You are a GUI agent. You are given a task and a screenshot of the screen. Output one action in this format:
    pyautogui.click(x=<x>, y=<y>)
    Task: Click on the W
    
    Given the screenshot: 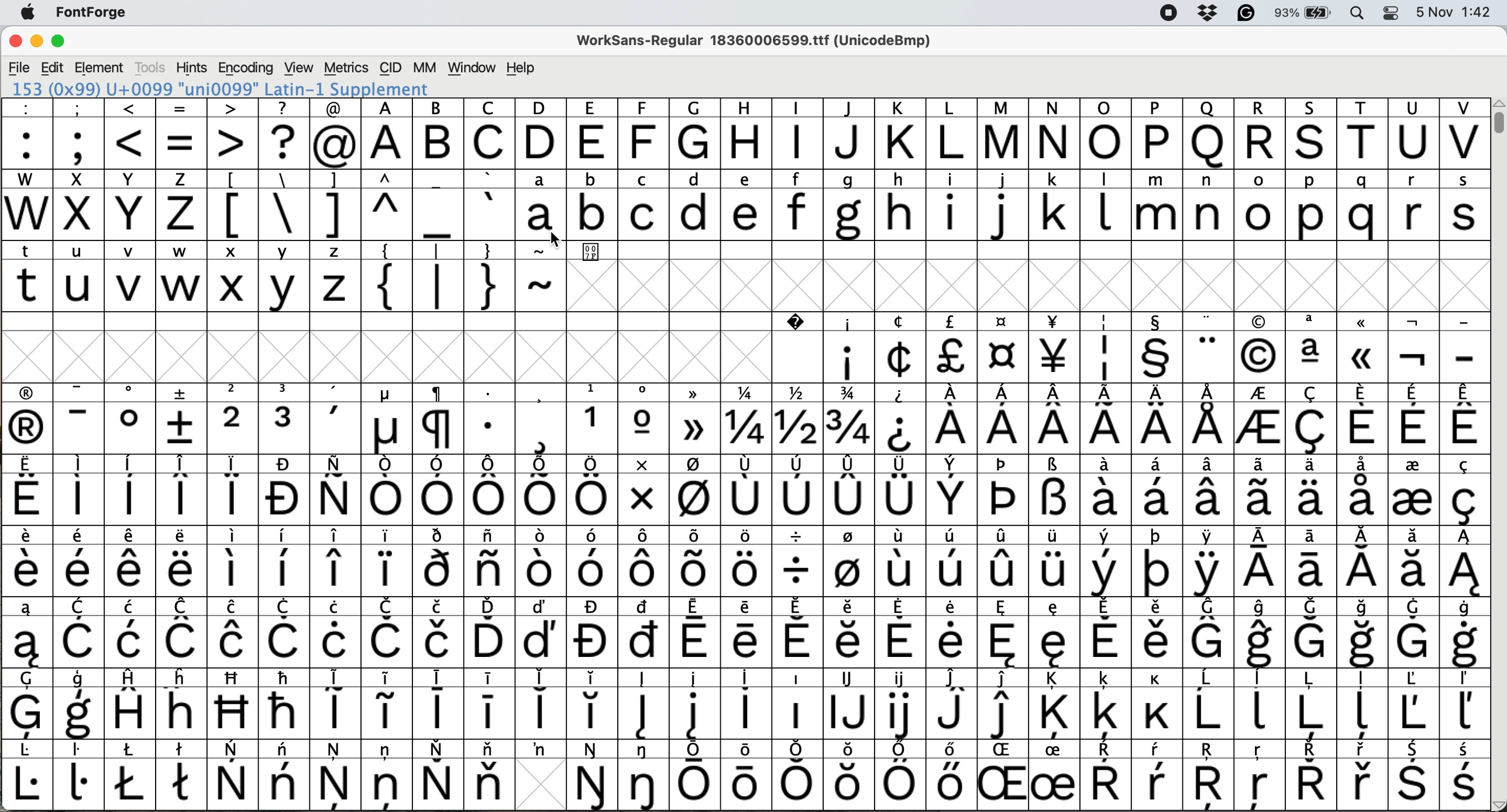 What is the action you would take?
    pyautogui.click(x=29, y=205)
    